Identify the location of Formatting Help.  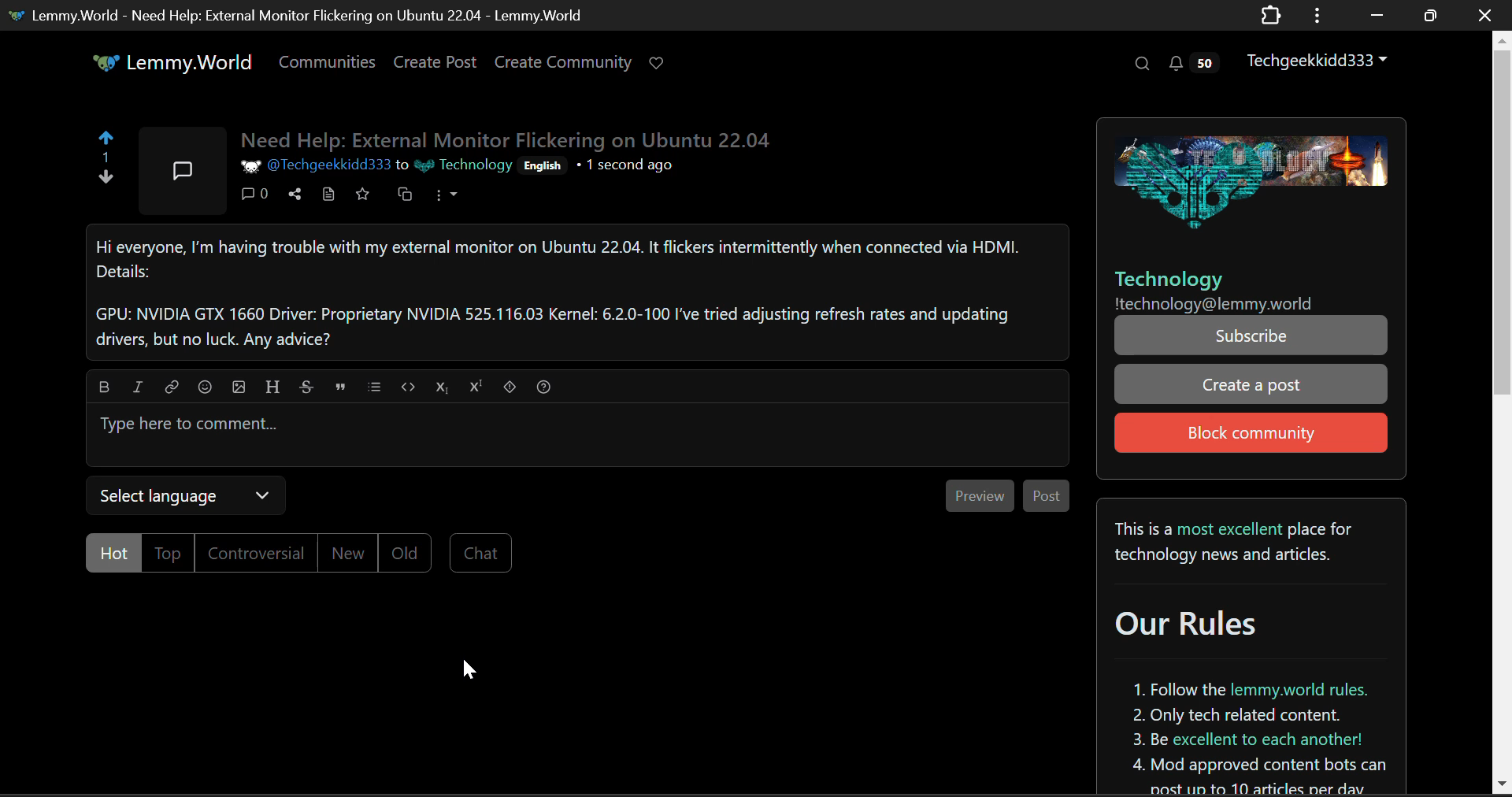
(544, 385).